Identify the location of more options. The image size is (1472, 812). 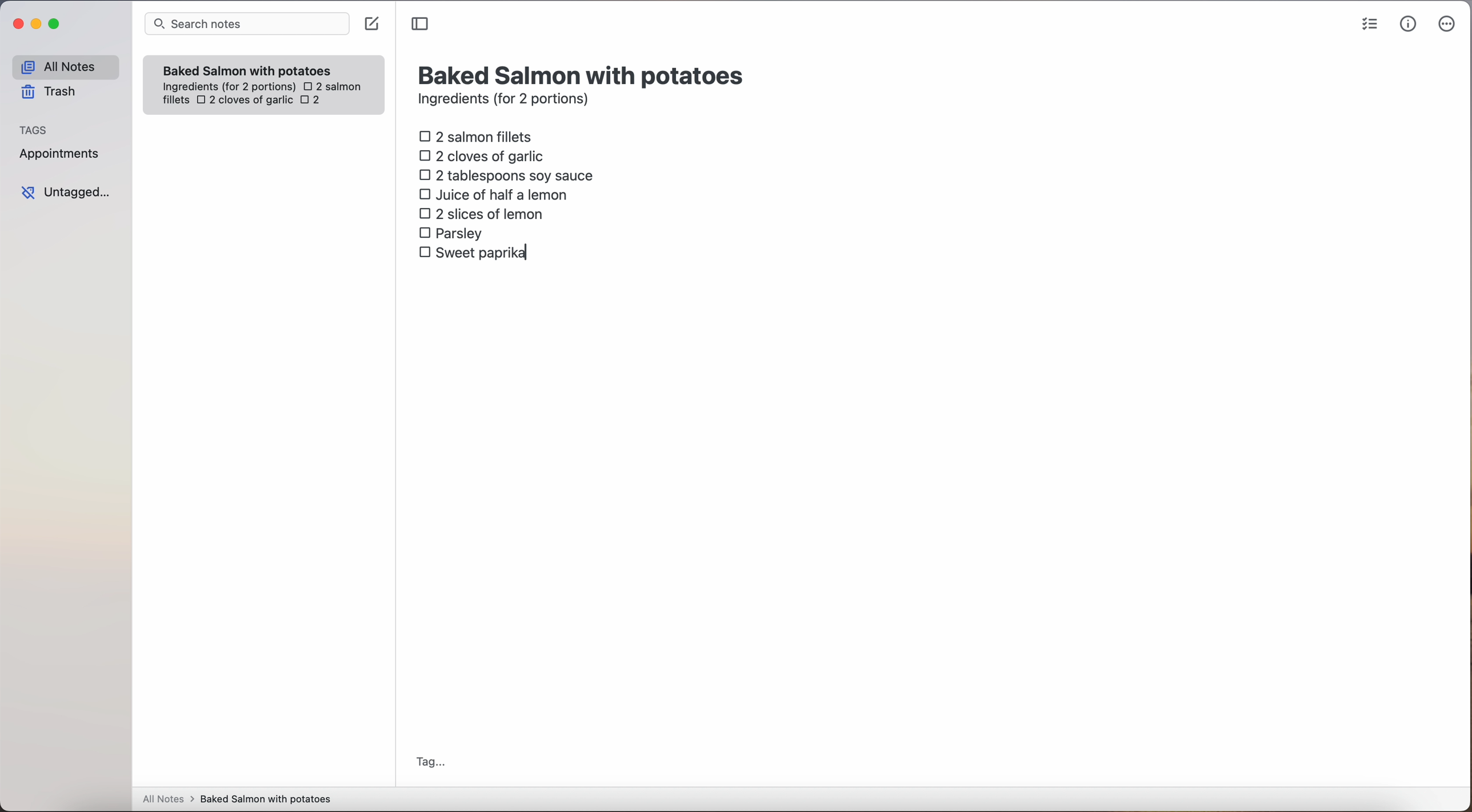
(1449, 25).